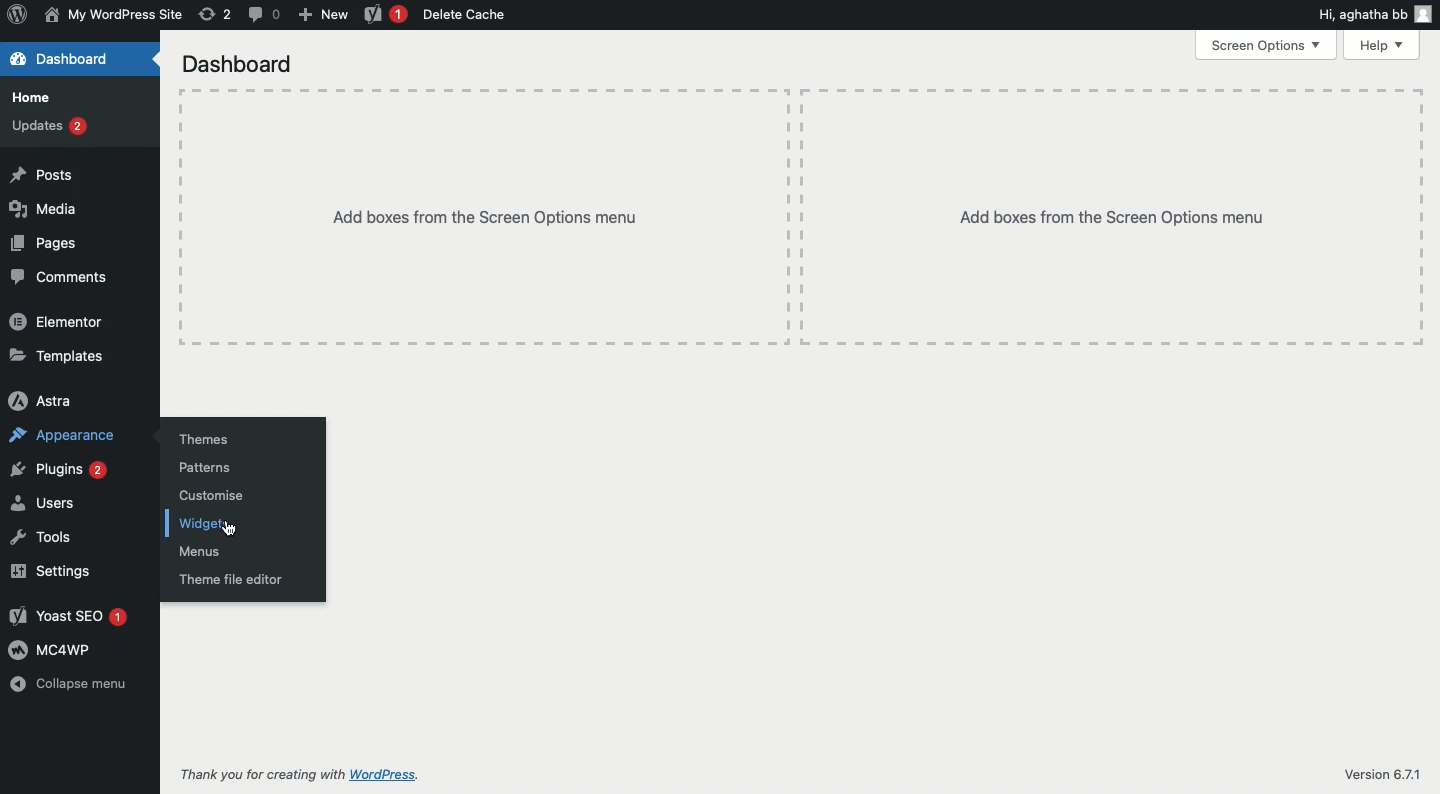 This screenshot has height=794, width=1440. What do you see at coordinates (47, 127) in the screenshot?
I see `Updates` at bounding box center [47, 127].